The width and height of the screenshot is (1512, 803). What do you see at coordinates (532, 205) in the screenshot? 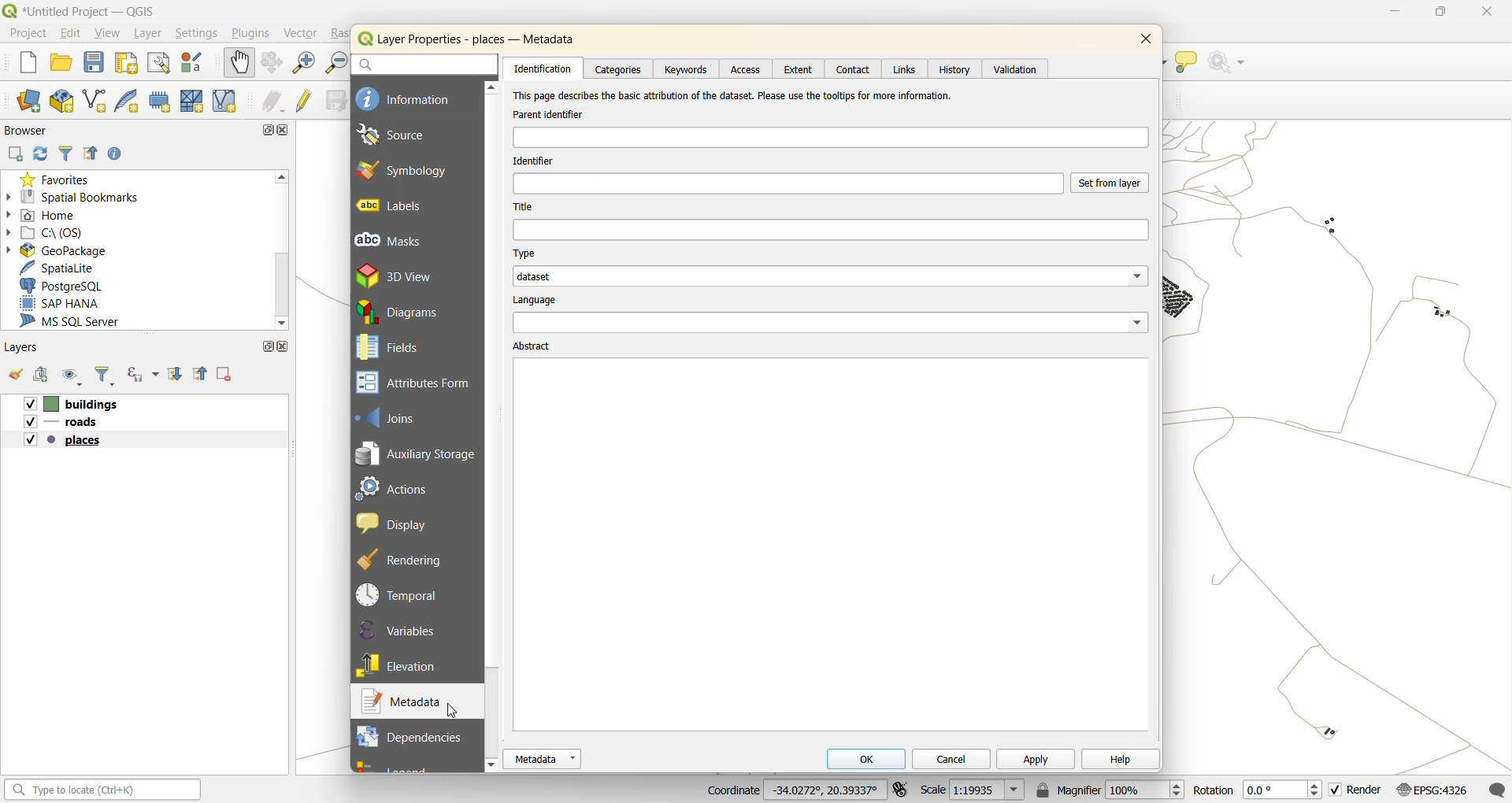
I see `title` at bounding box center [532, 205].